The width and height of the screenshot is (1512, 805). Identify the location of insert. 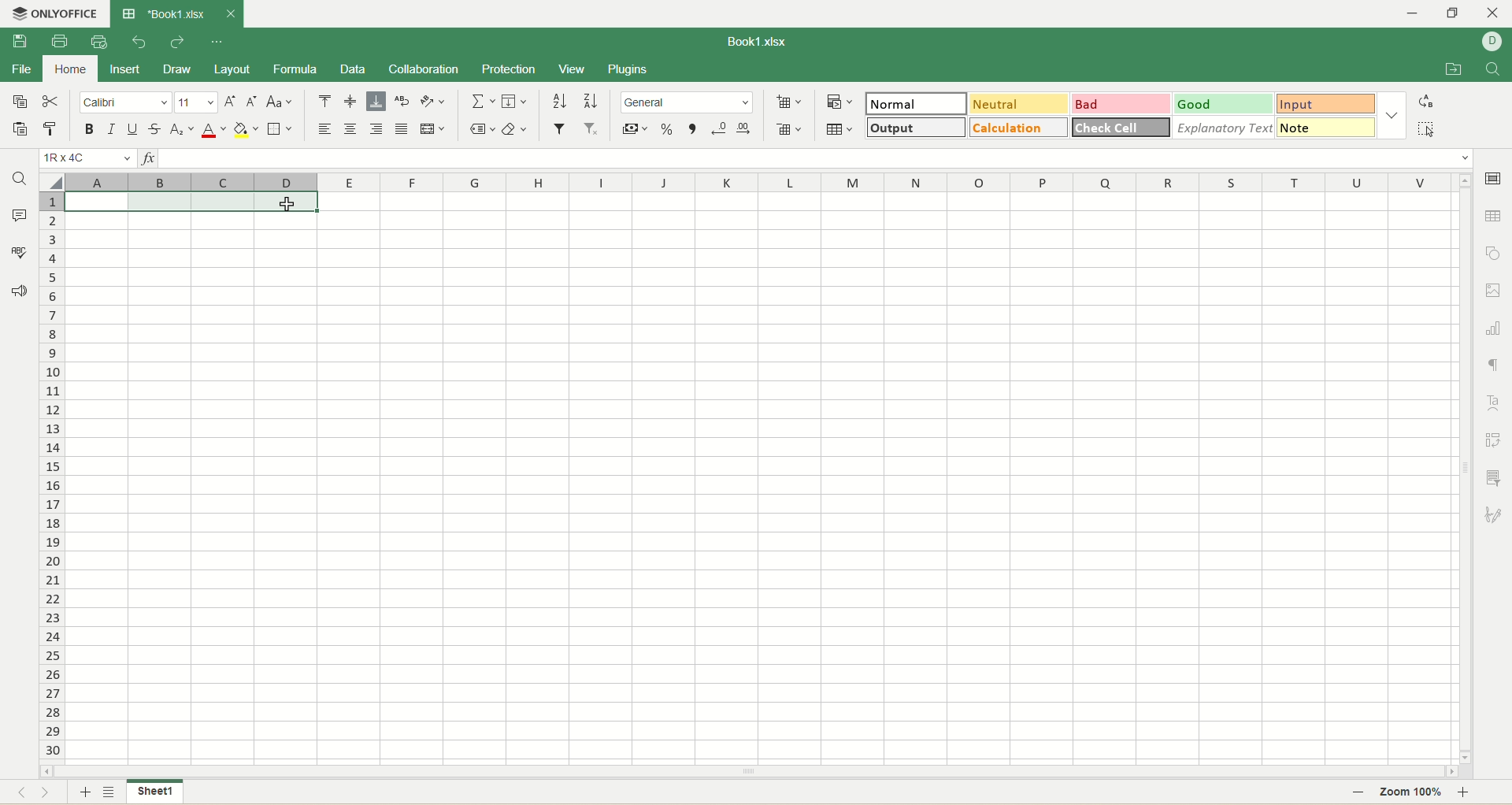
(124, 69).